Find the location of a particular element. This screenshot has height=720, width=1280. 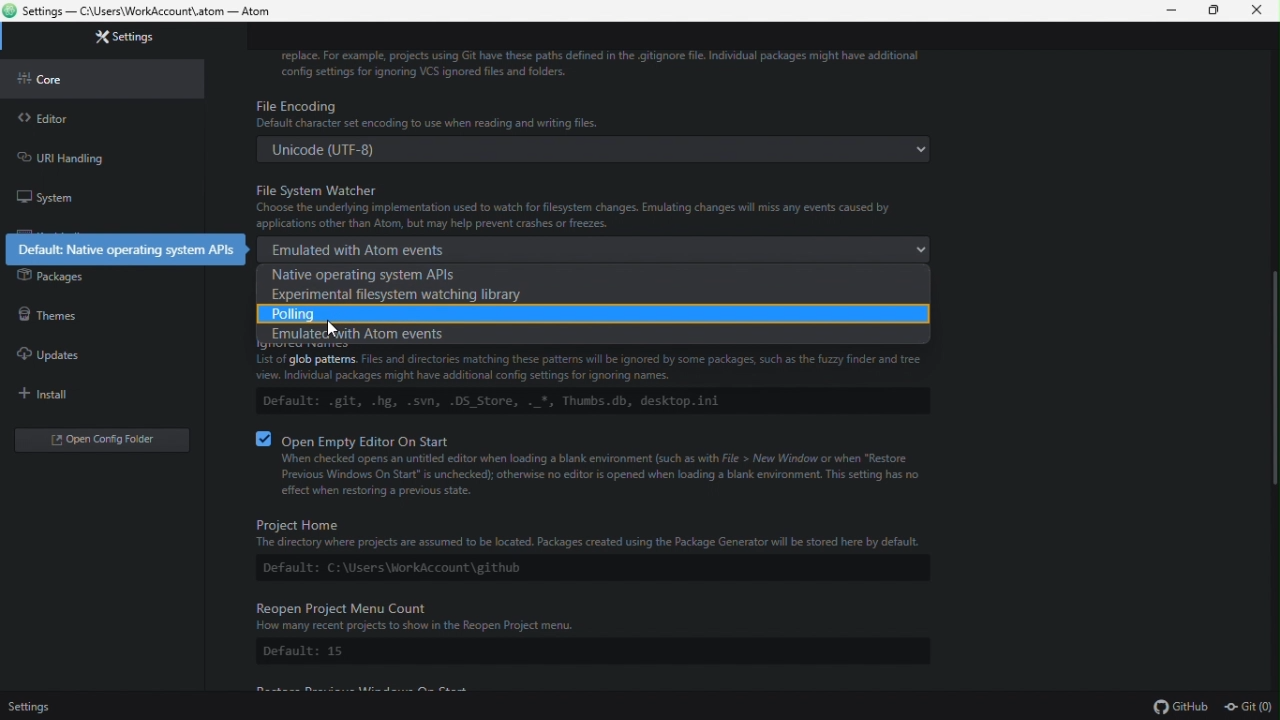

emulated with atom events is located at coordinates (589, 335).